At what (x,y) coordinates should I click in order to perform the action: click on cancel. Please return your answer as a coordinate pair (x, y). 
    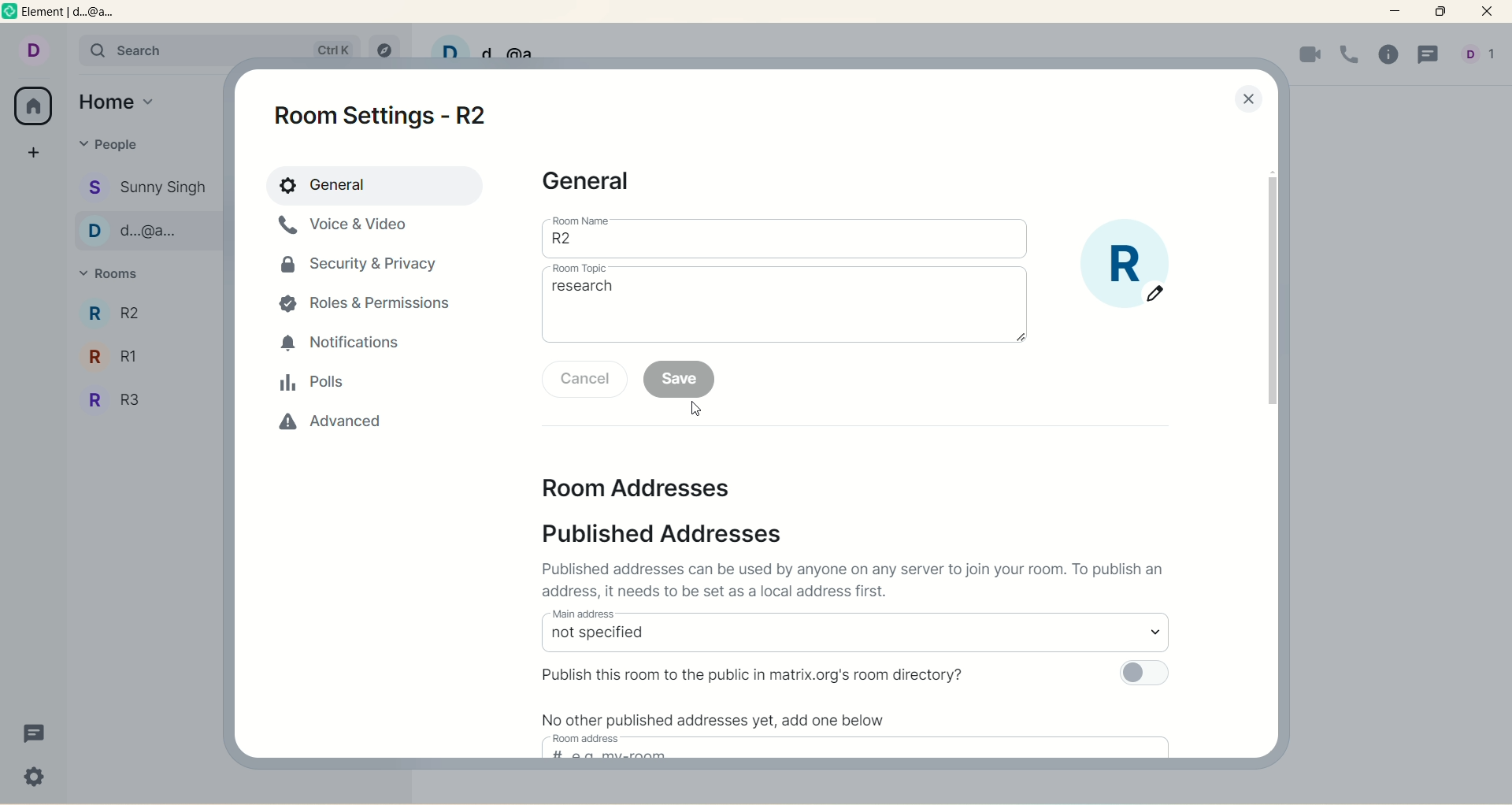
    Looking at the image, I should click on (585, 379).